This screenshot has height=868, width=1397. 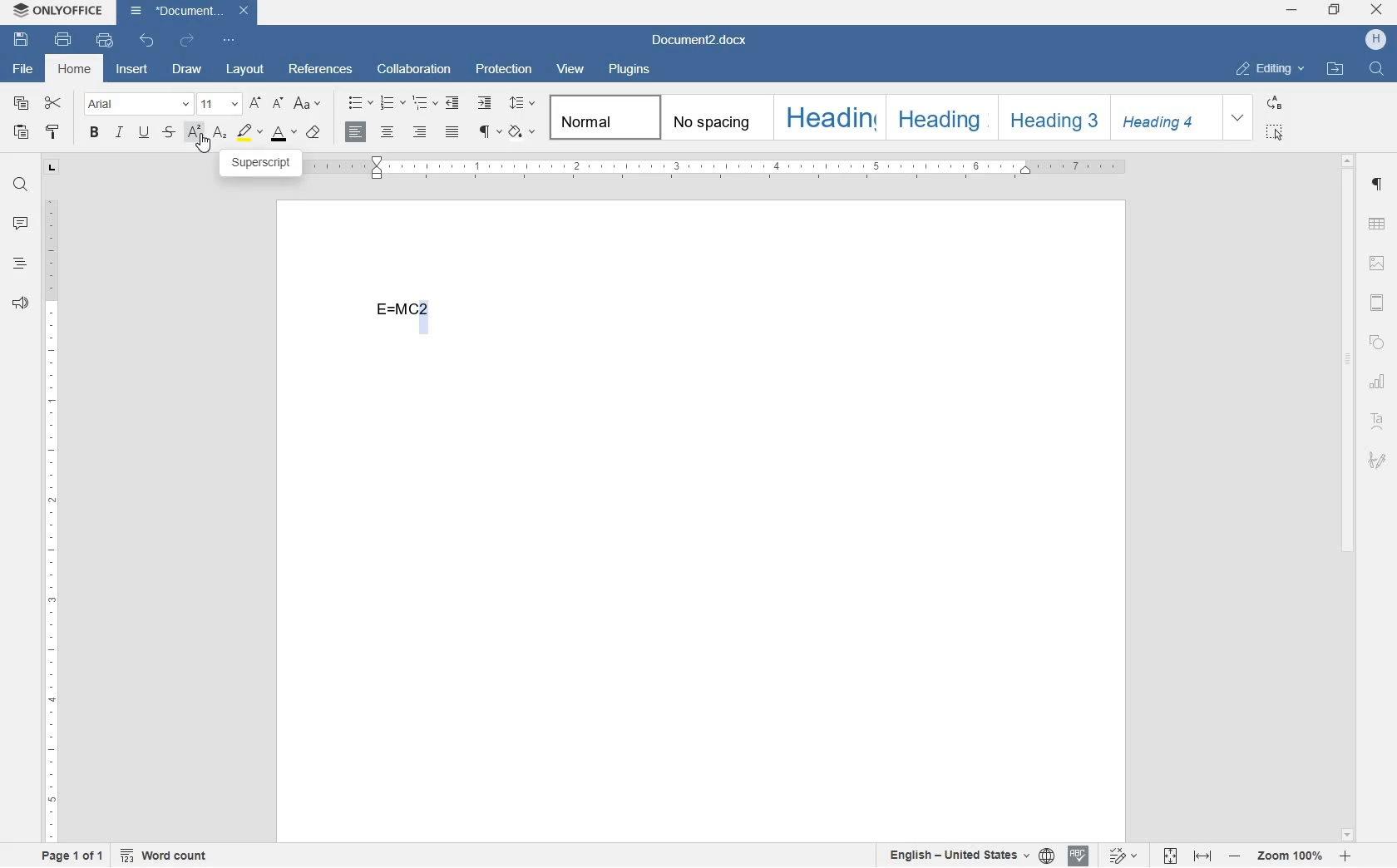 What do you see at coordinates (1380, 185) in the screenshot?
I see `paragraph settings` at bounding box center [1380, 185].